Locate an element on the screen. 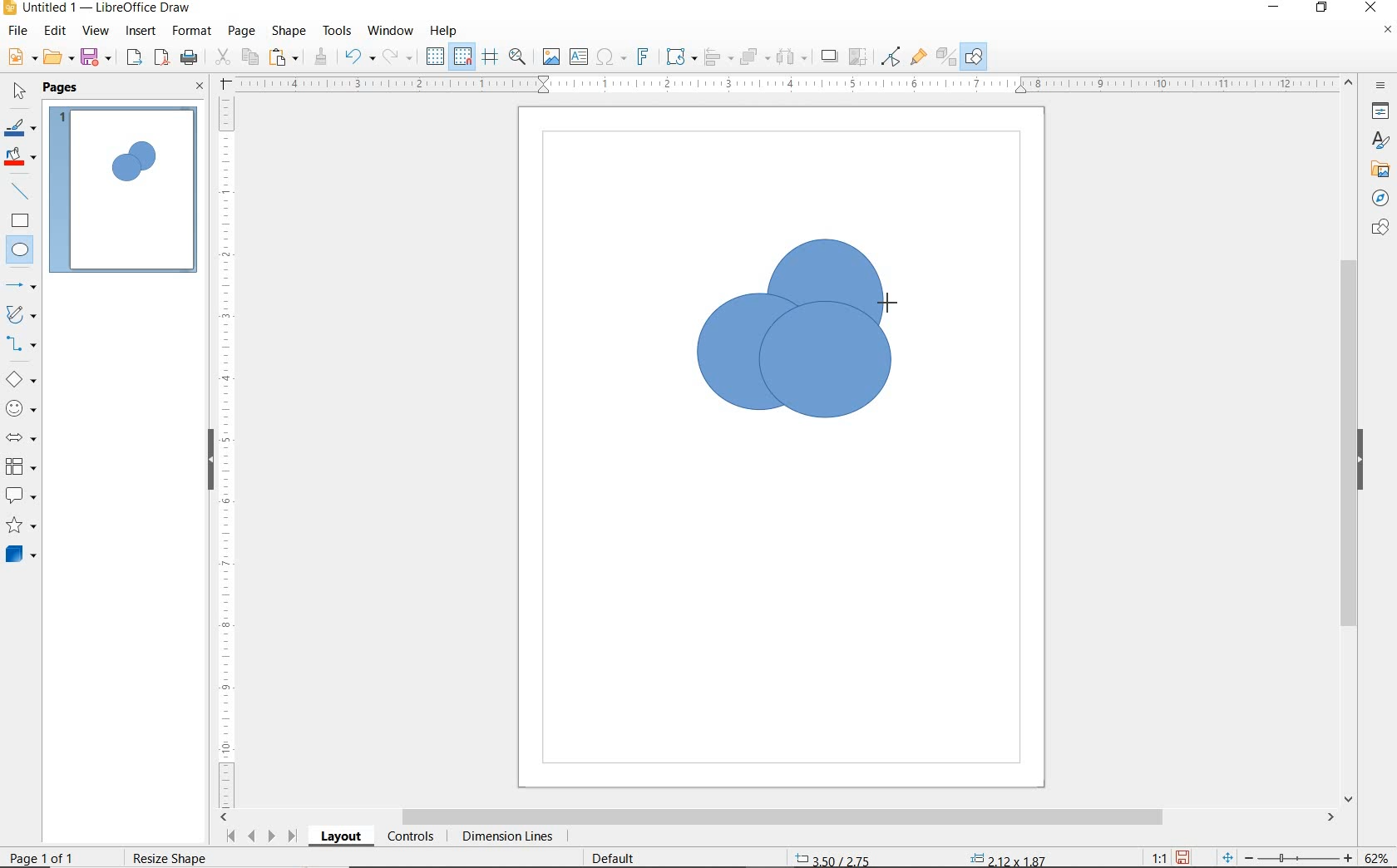  VIEW is located at coordinates (96, 32).